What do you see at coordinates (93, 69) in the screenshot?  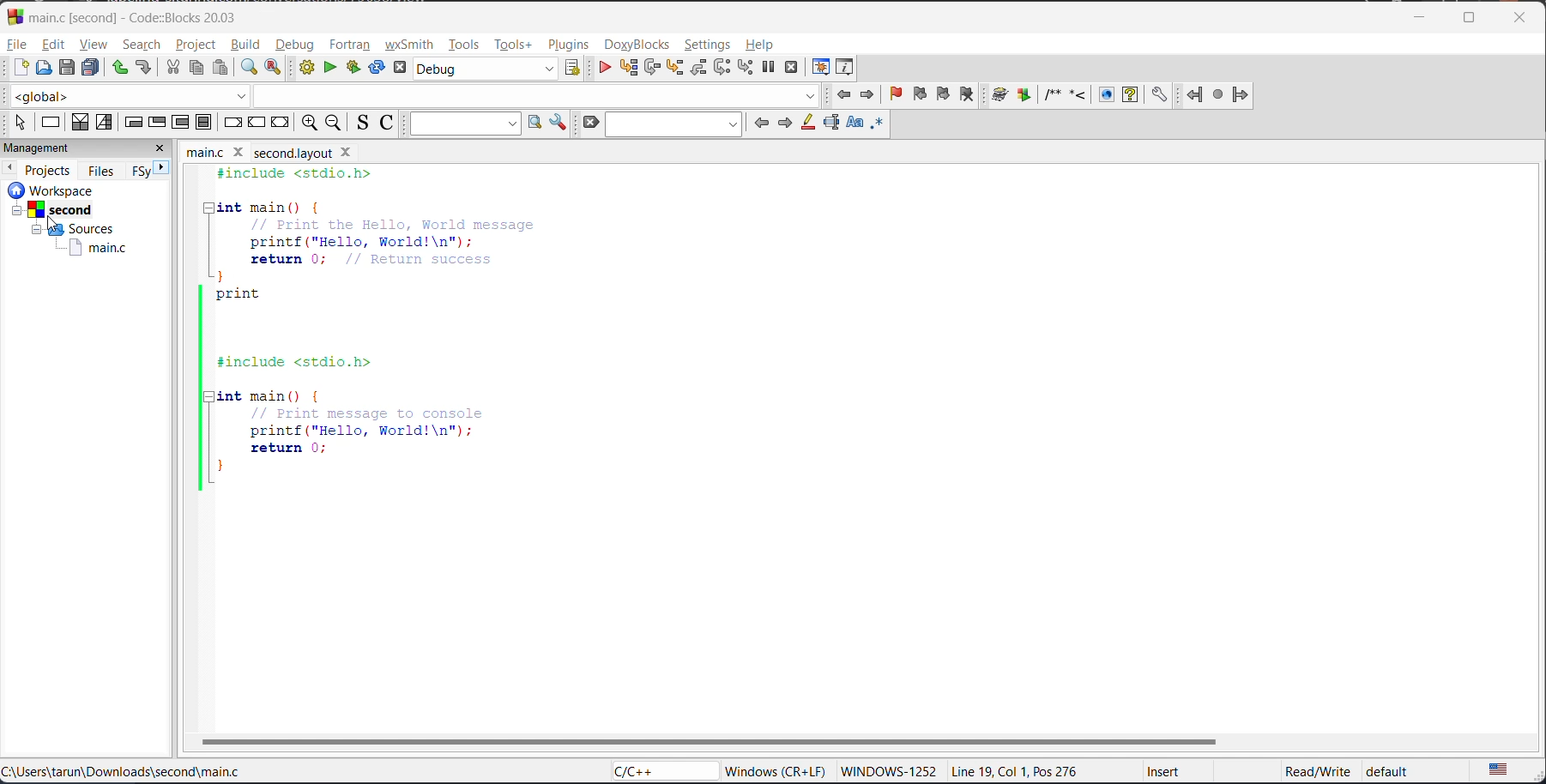 I see `save everything` at bounding box center [93, 69].